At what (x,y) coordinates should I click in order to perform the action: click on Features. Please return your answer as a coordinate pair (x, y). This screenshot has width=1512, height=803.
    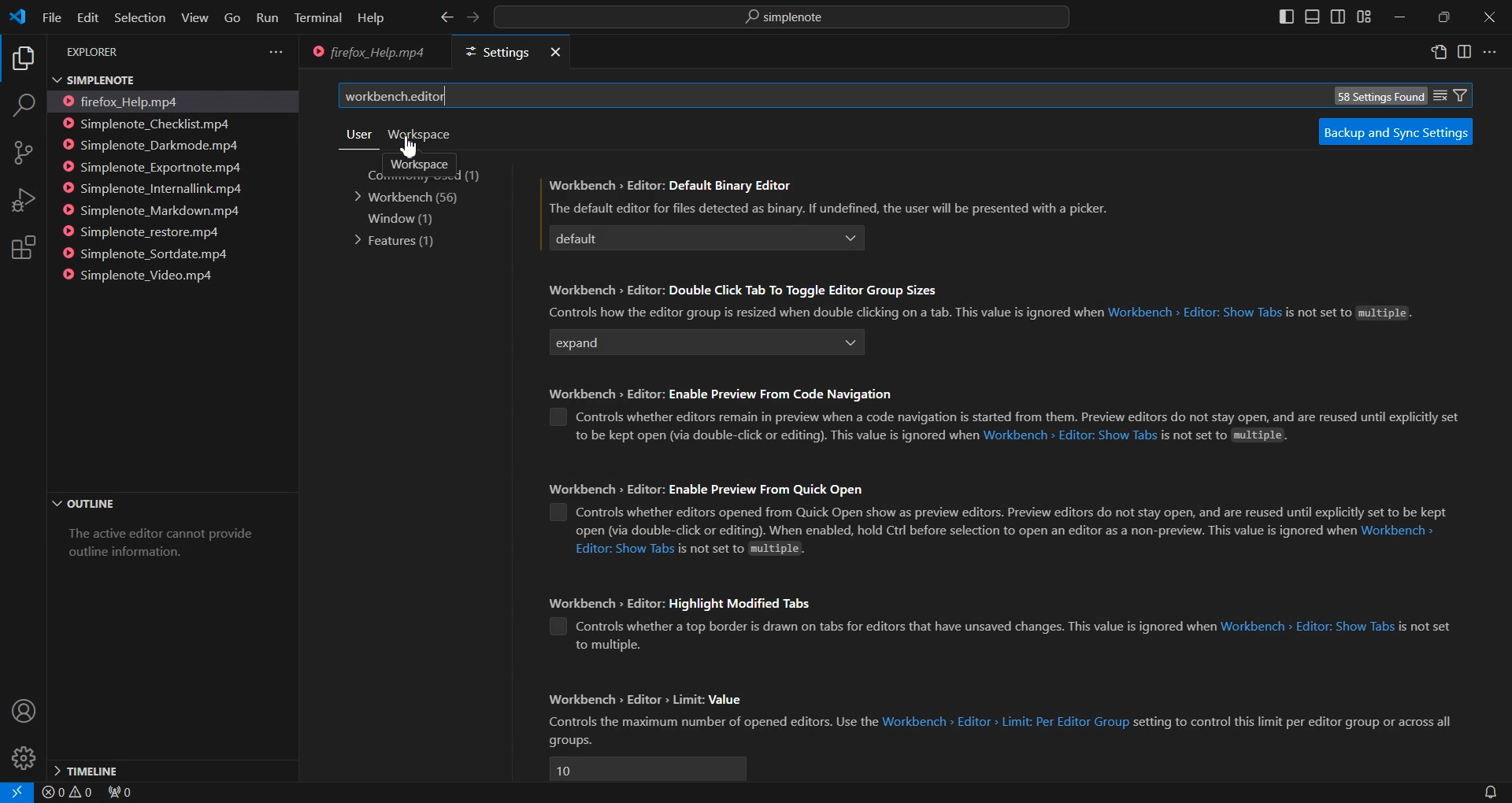
    Looking at the image, I should click on (397, 240).